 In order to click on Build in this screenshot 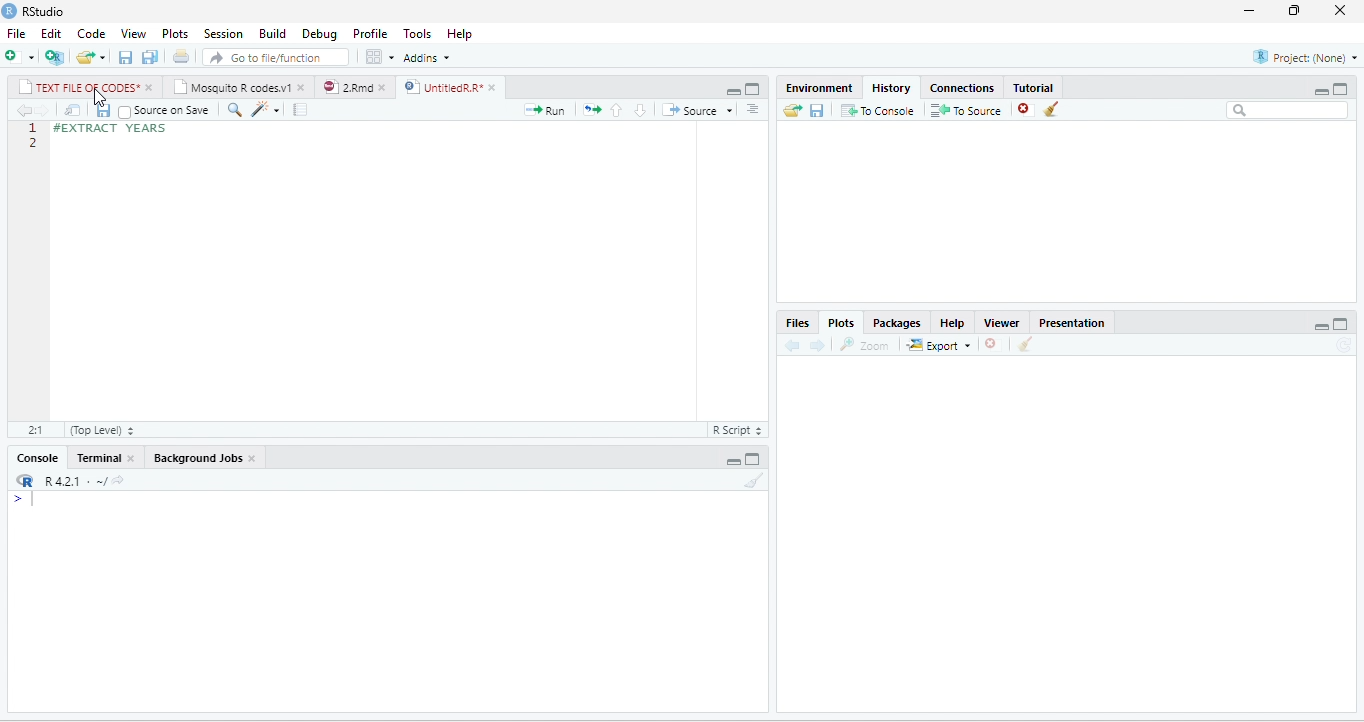, I will do `click(273, 34)`.